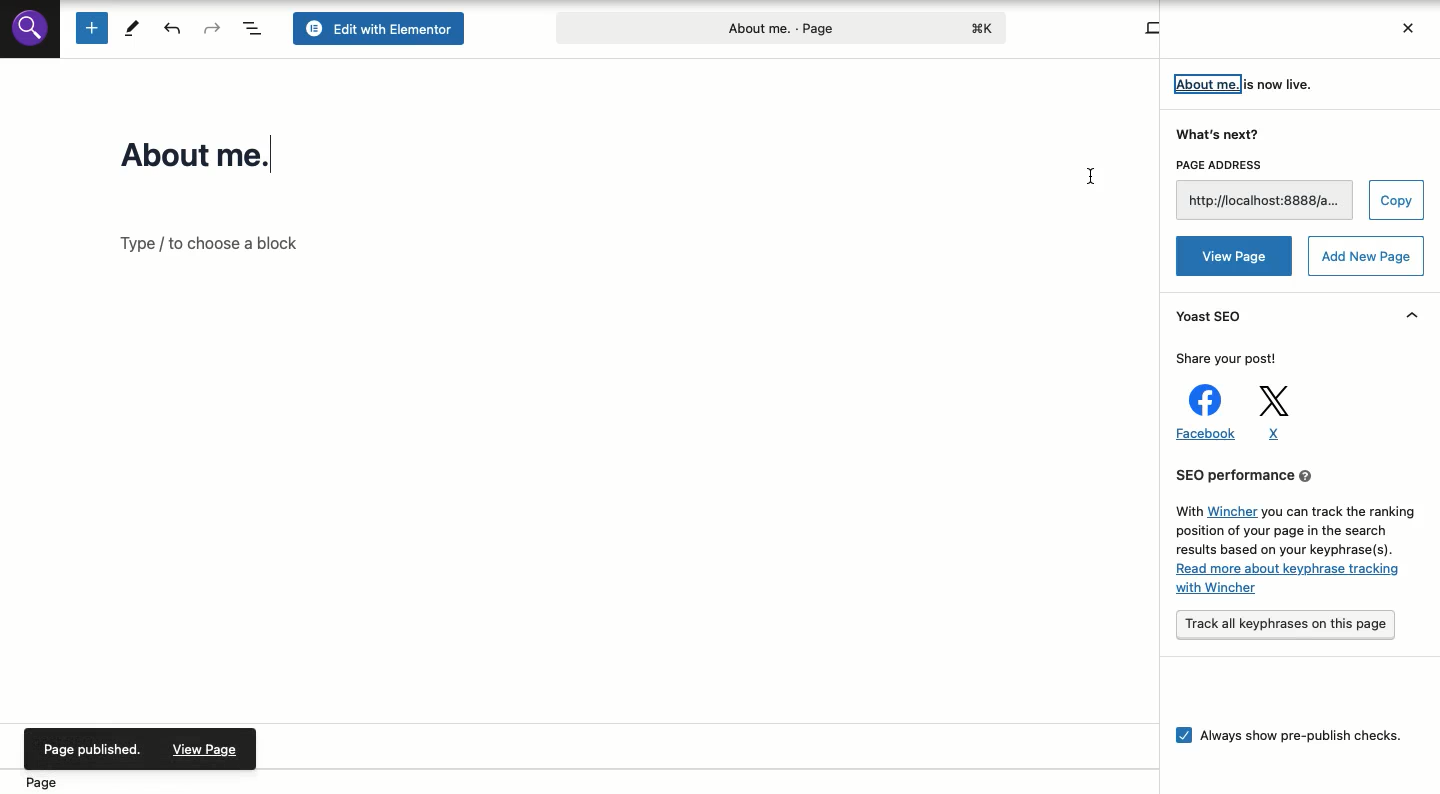 The image size is (1440, 794). Describe the element at coordinates (779, 26) in the screenshot. I see `About me - Page` at that location.